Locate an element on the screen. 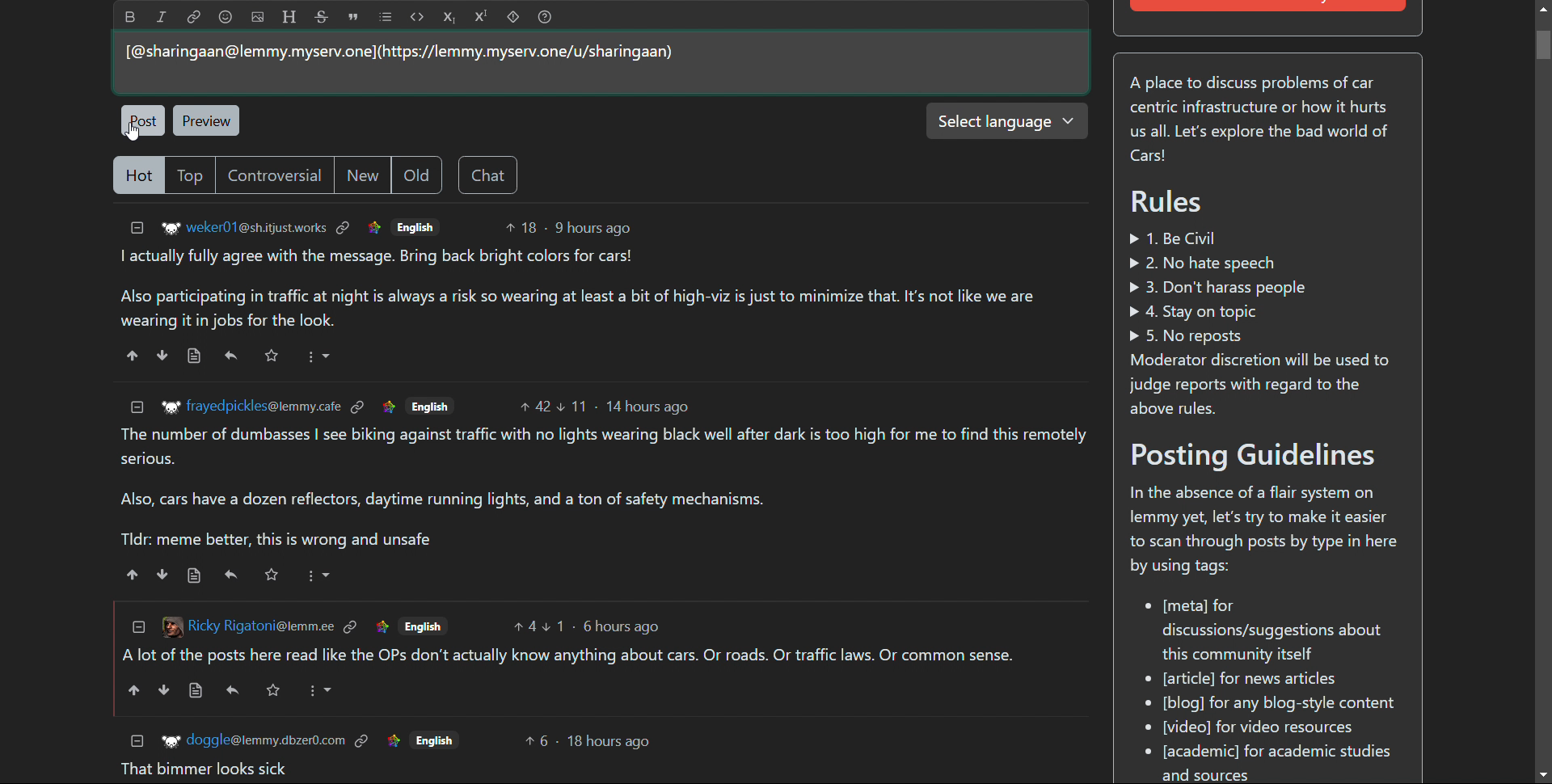 Image resolution: width=1552 pixels, height=784 pixels. upvote is located at coordinates (132, 690).